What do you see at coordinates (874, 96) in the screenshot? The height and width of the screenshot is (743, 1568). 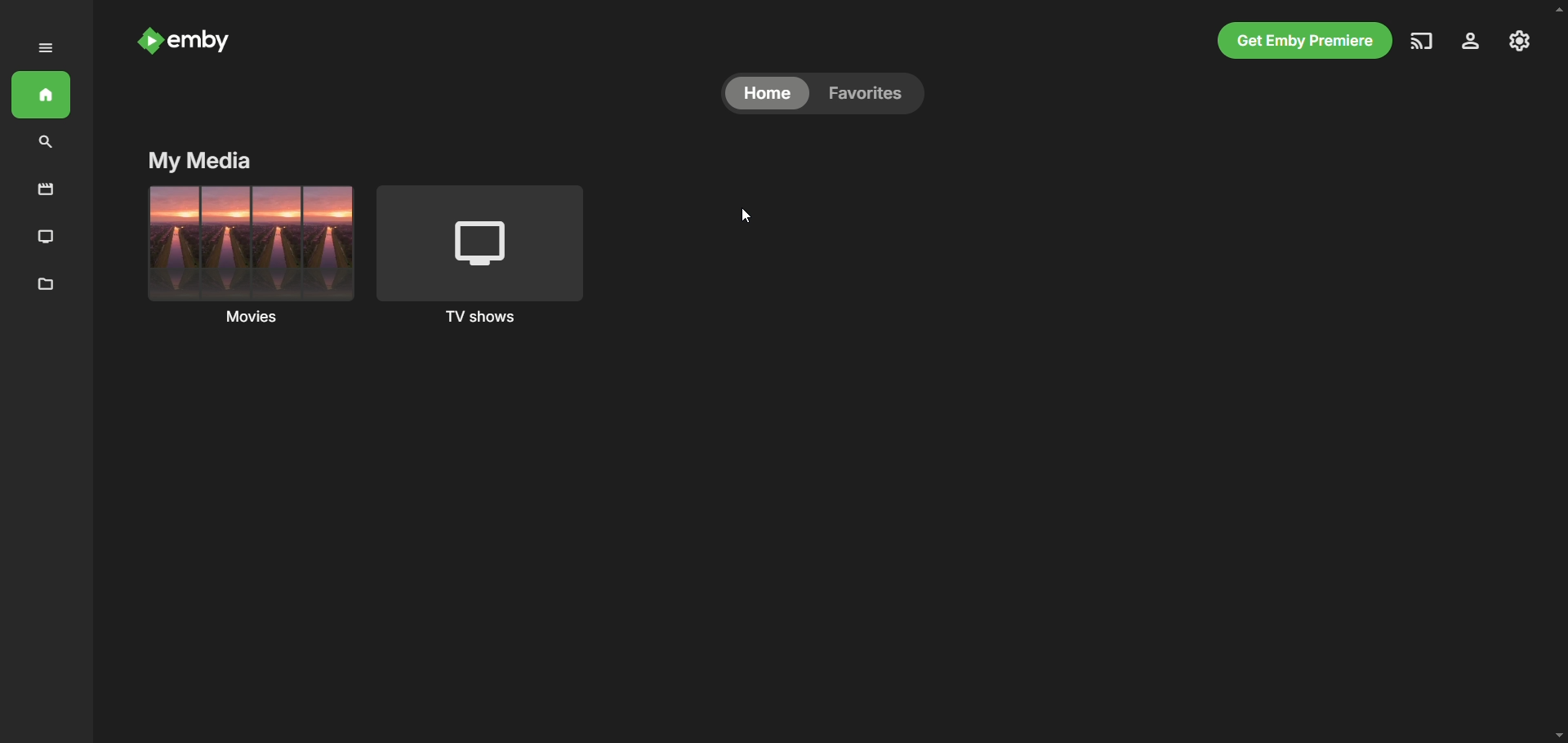 I see `favorite` at bounding box center [874, 96].